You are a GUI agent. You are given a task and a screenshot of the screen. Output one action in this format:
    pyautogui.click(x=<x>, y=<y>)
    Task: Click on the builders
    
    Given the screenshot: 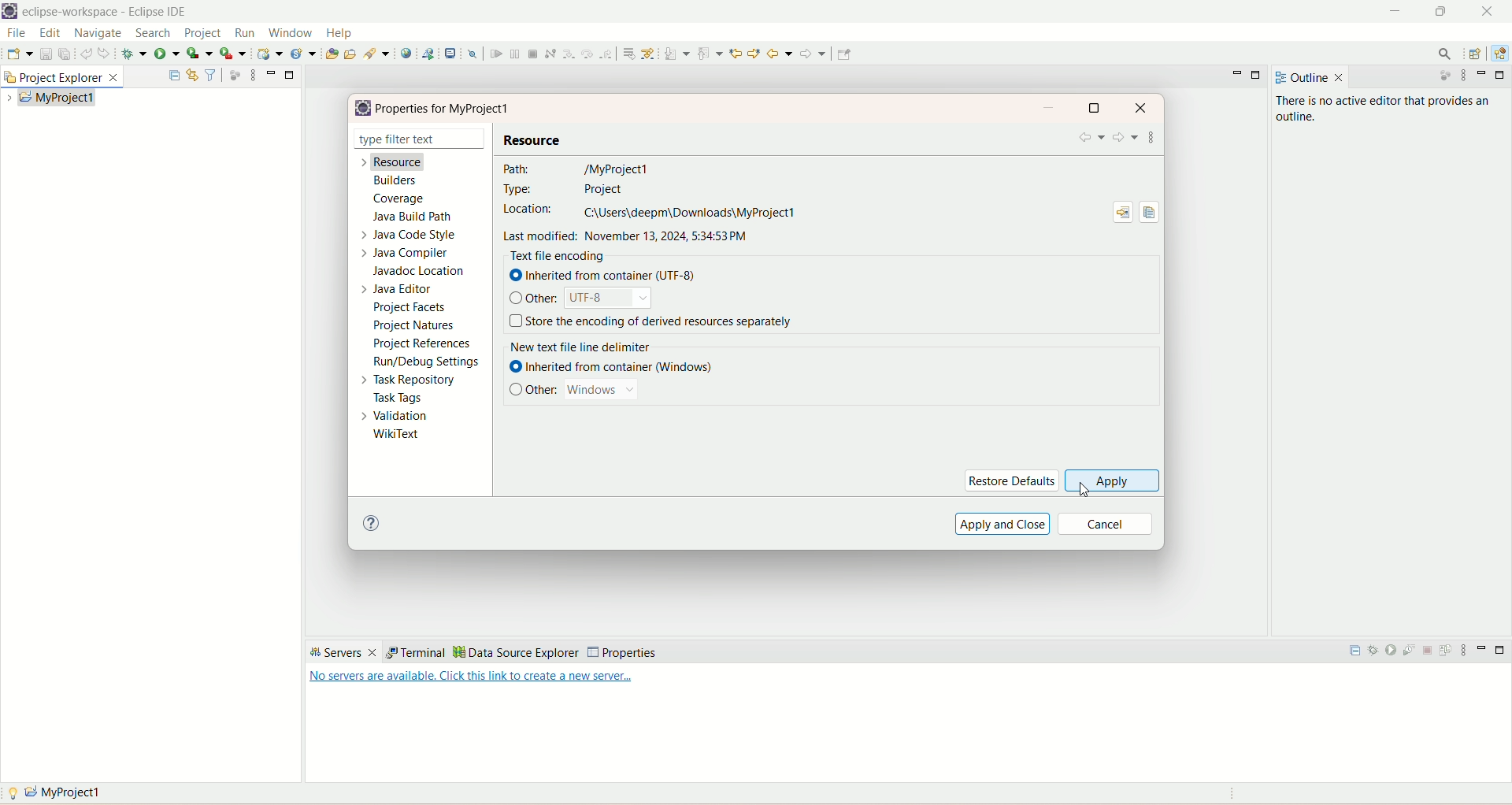 What is the action you would take?
    pyautogui.click(x=395, y=181)
    